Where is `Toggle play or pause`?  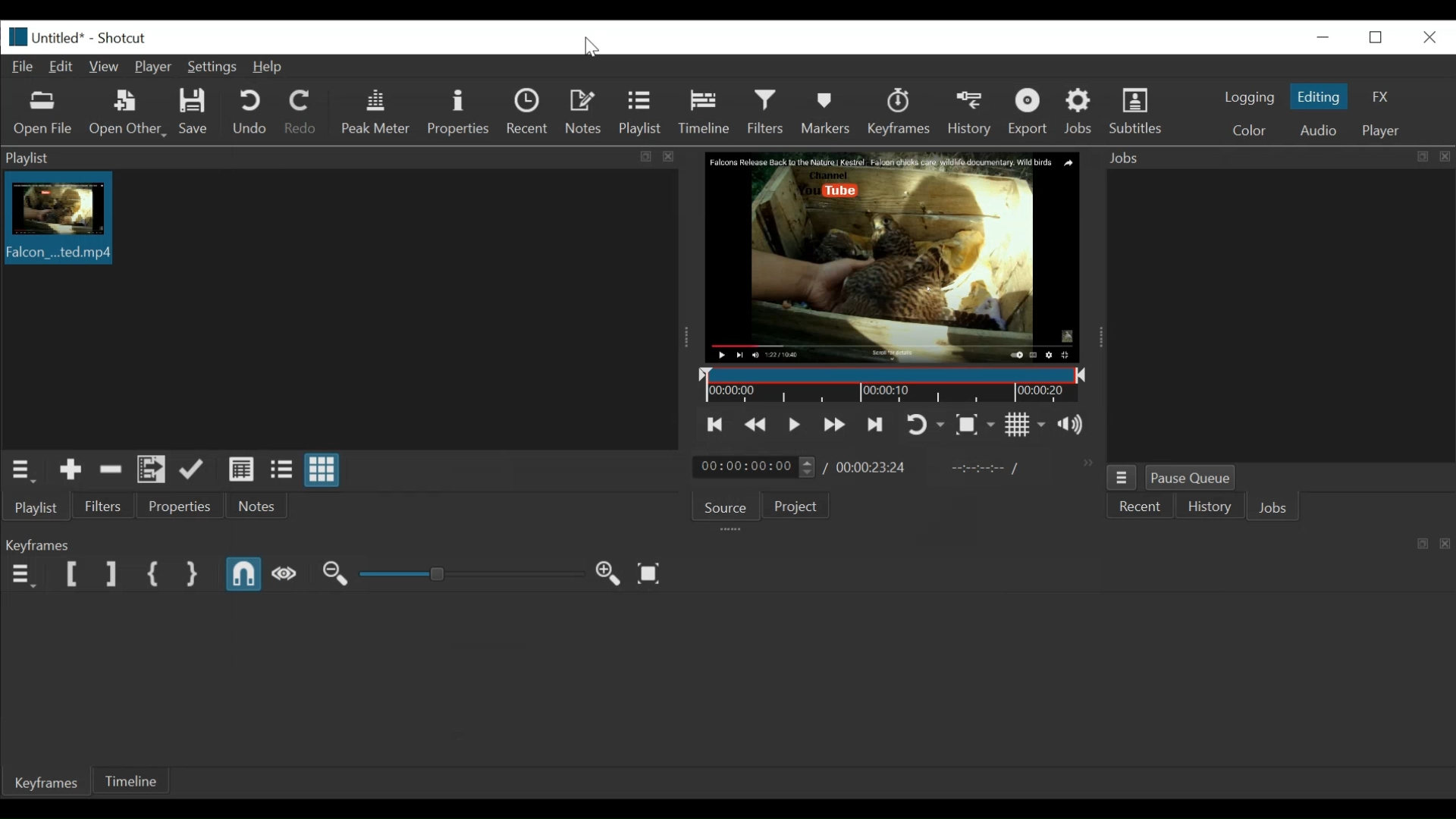
Toggle play or pause is located at coordinates (795, 425).